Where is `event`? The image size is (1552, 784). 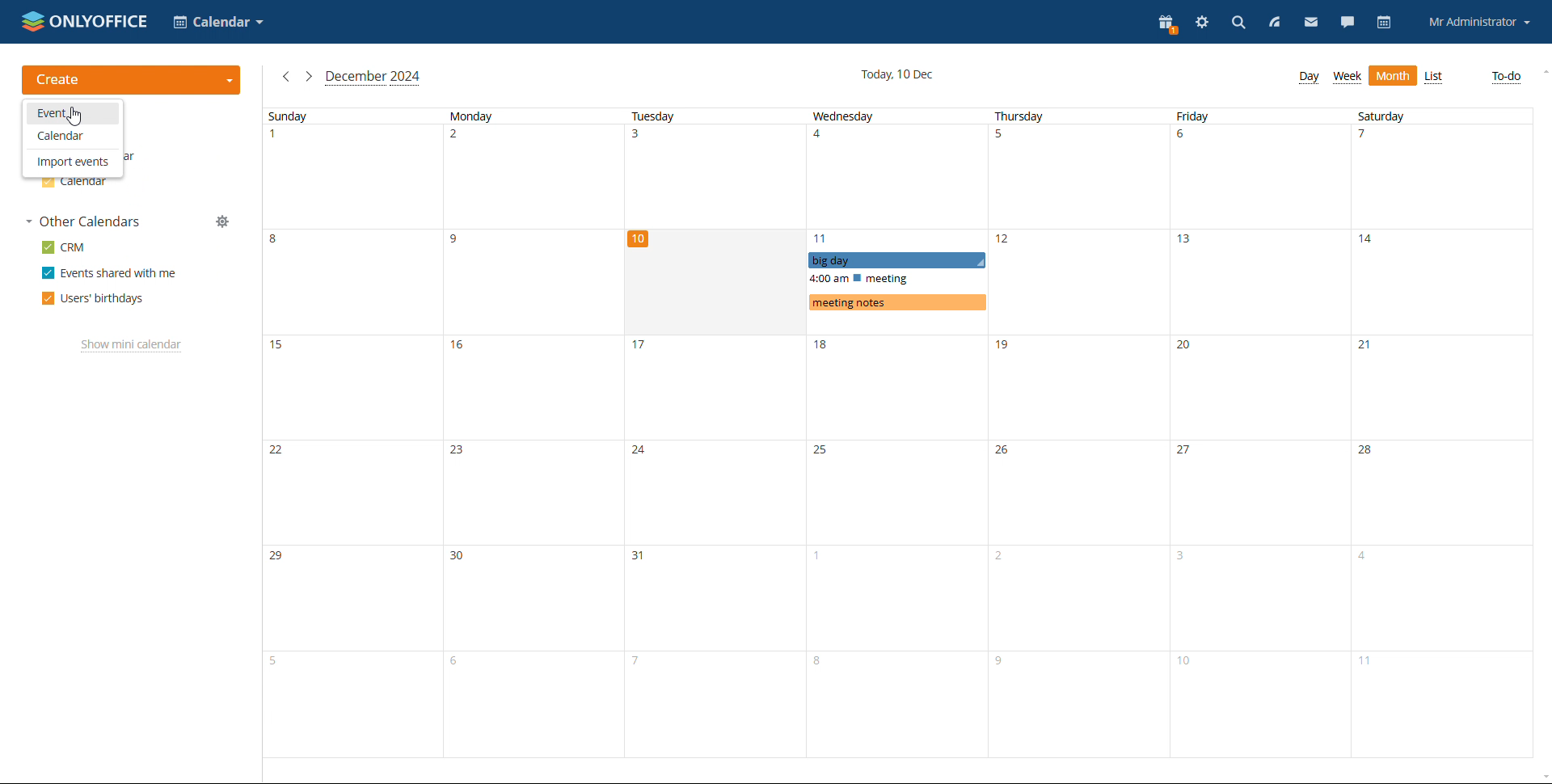 event is located at coordinates (74, 113).